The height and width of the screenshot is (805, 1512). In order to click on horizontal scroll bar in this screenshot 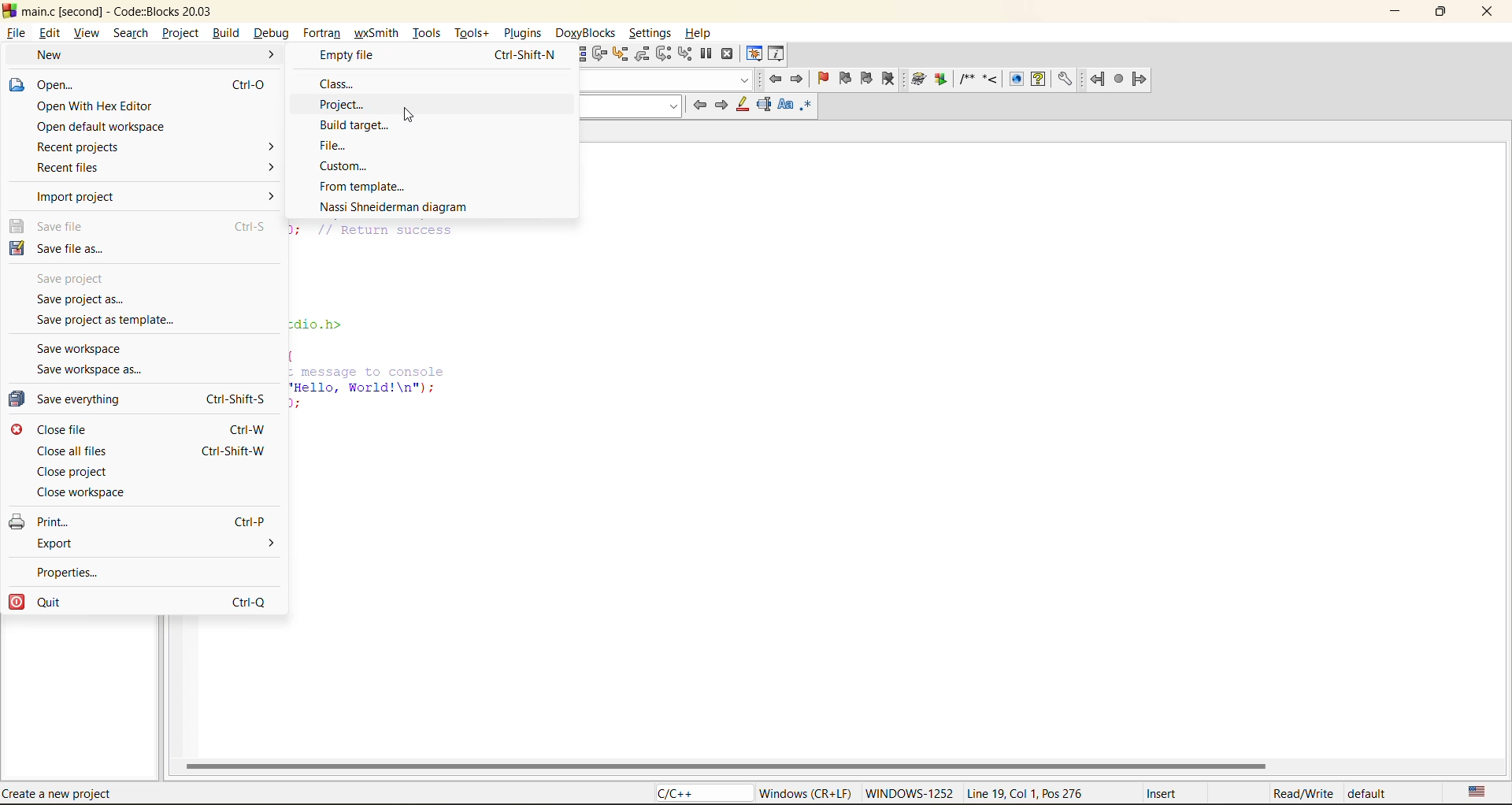, I will do `click(726, 766)`.